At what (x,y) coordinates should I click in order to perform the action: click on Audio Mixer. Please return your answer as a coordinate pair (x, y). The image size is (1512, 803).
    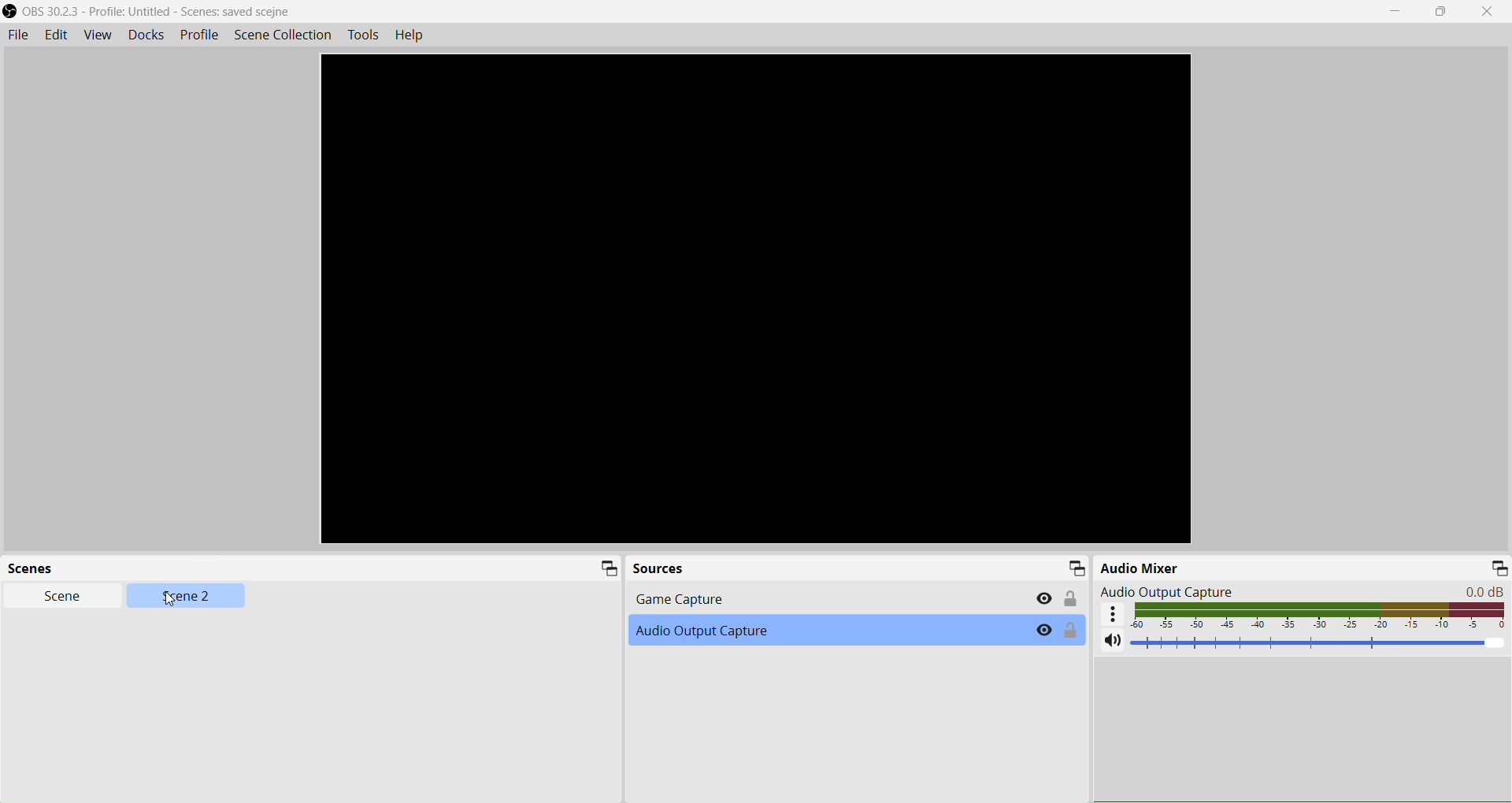
    Looking at the image, I should click on (1140, 567).